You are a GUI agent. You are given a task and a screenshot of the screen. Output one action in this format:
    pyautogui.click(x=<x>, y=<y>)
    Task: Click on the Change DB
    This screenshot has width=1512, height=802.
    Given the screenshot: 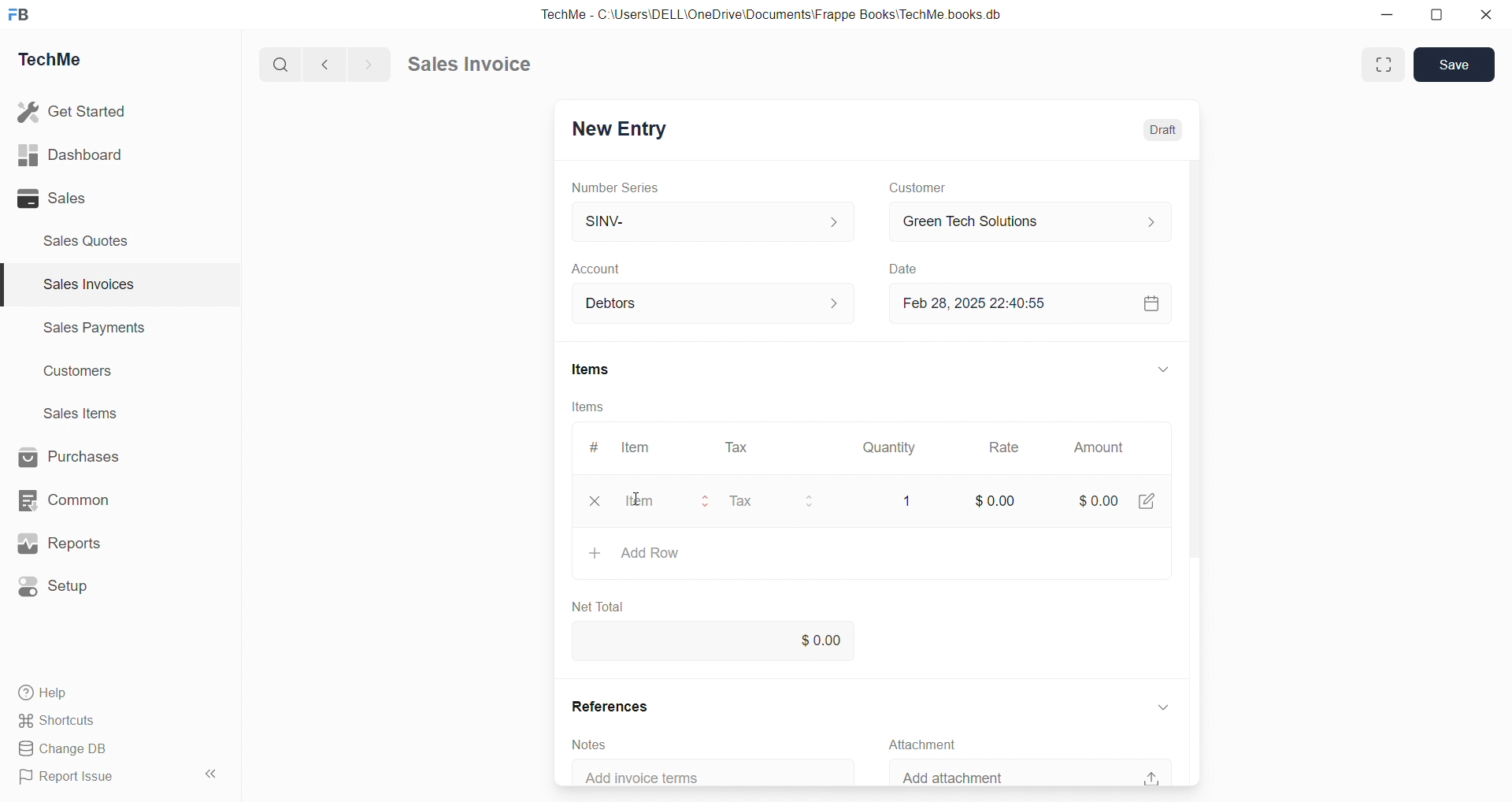 What is the action you would take?
    pyautogui.click(x=69, y=749)
    